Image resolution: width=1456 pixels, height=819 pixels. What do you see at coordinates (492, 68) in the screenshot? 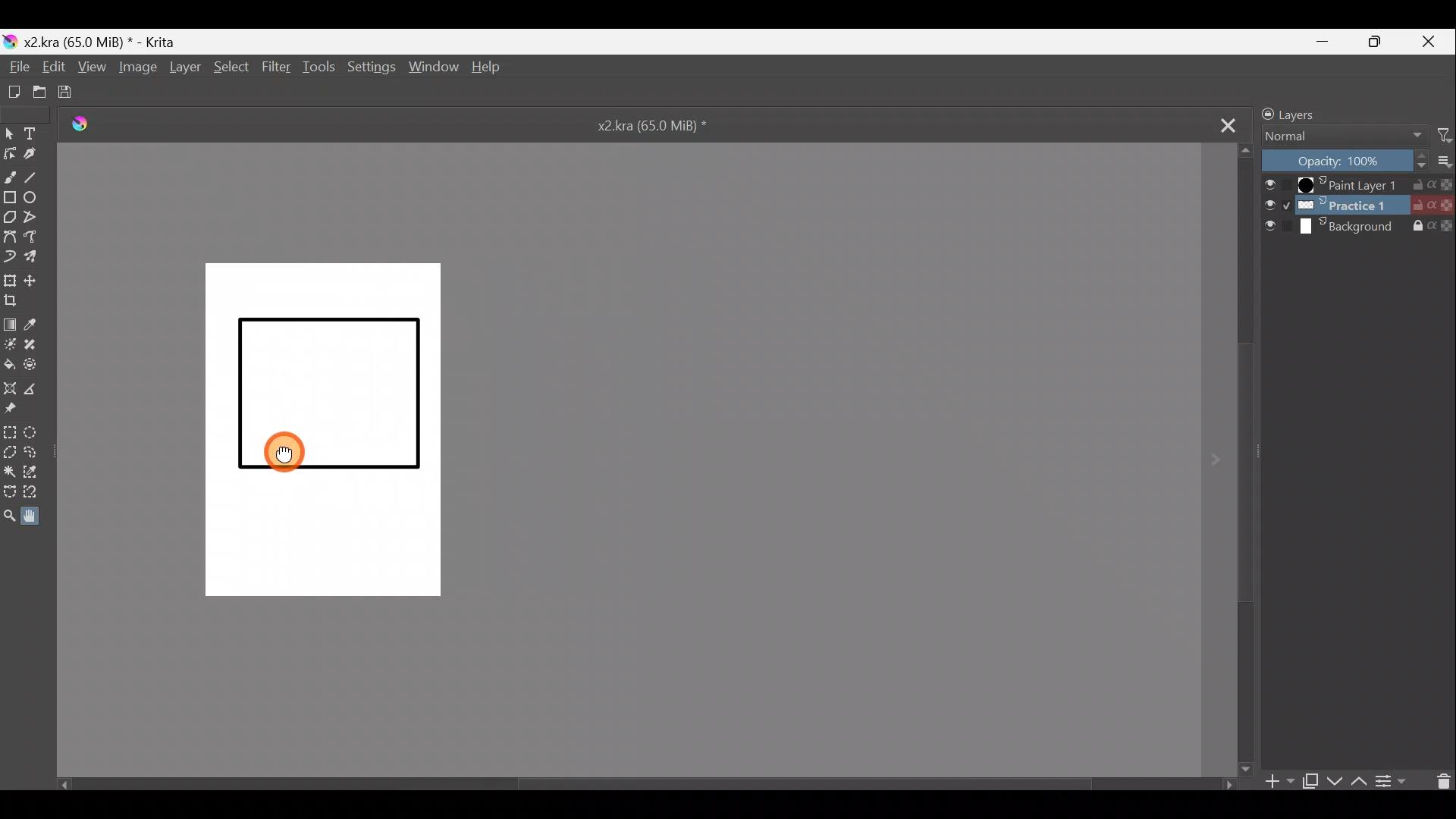
I see `Help` at bounding box center [492, 68].